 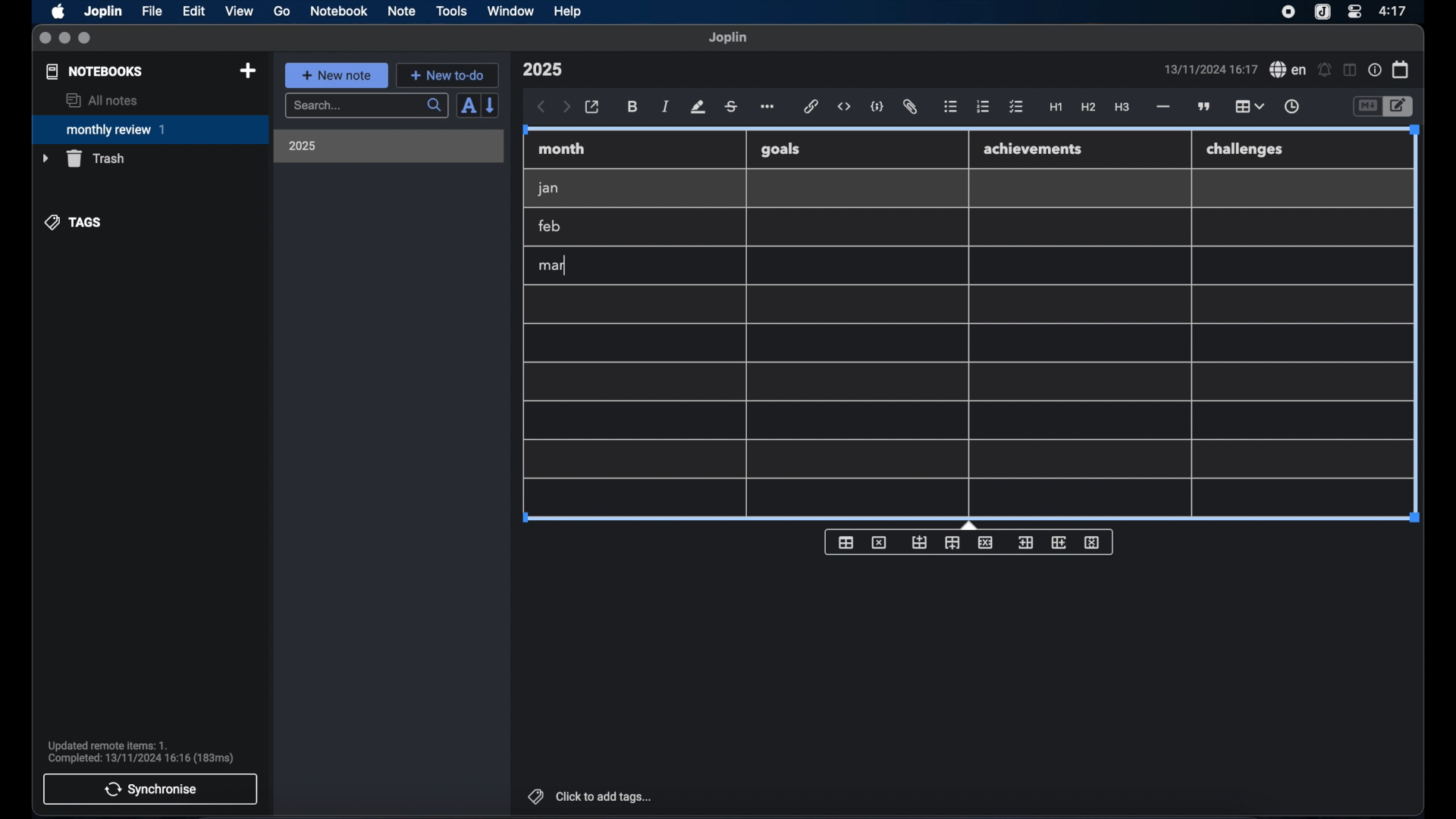 What do you see at coordinates (698, 107) in the screenshot?
I see `highlight` at bounding box center [698, 107].